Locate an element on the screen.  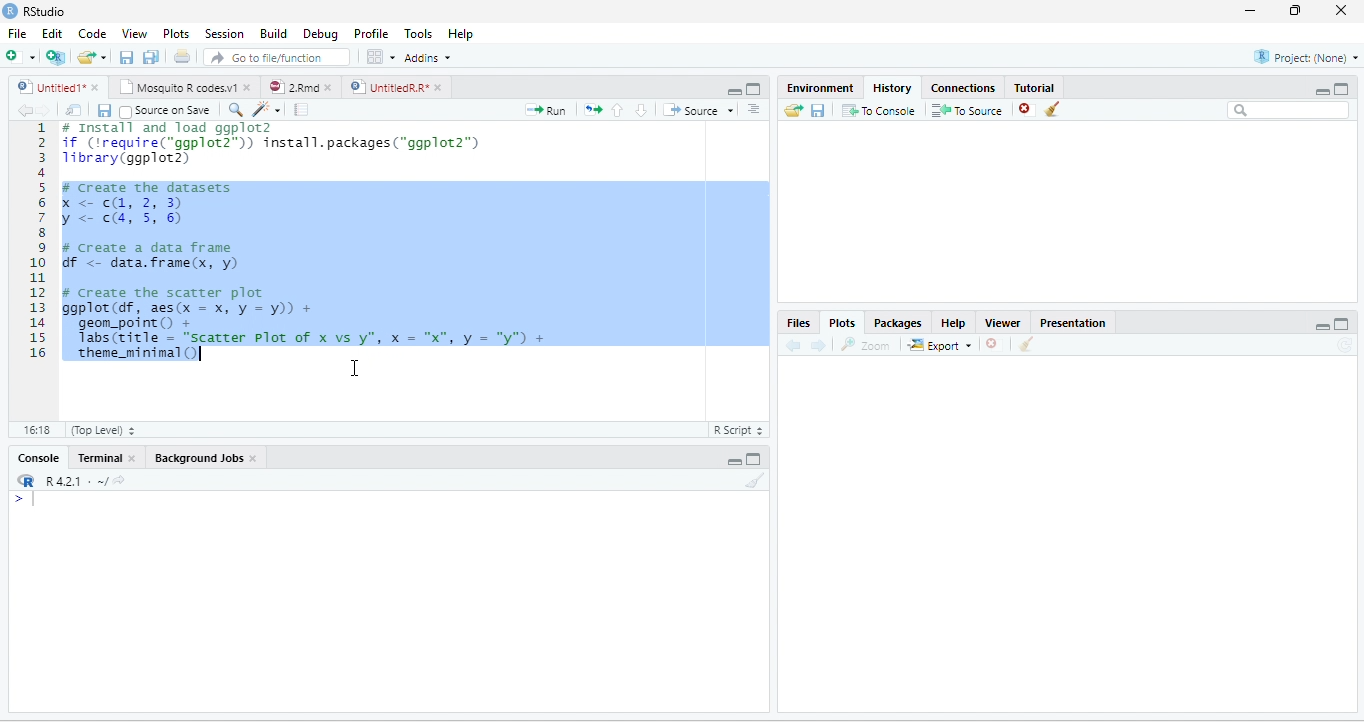
Maximize is located at coordinates (1342, 89).